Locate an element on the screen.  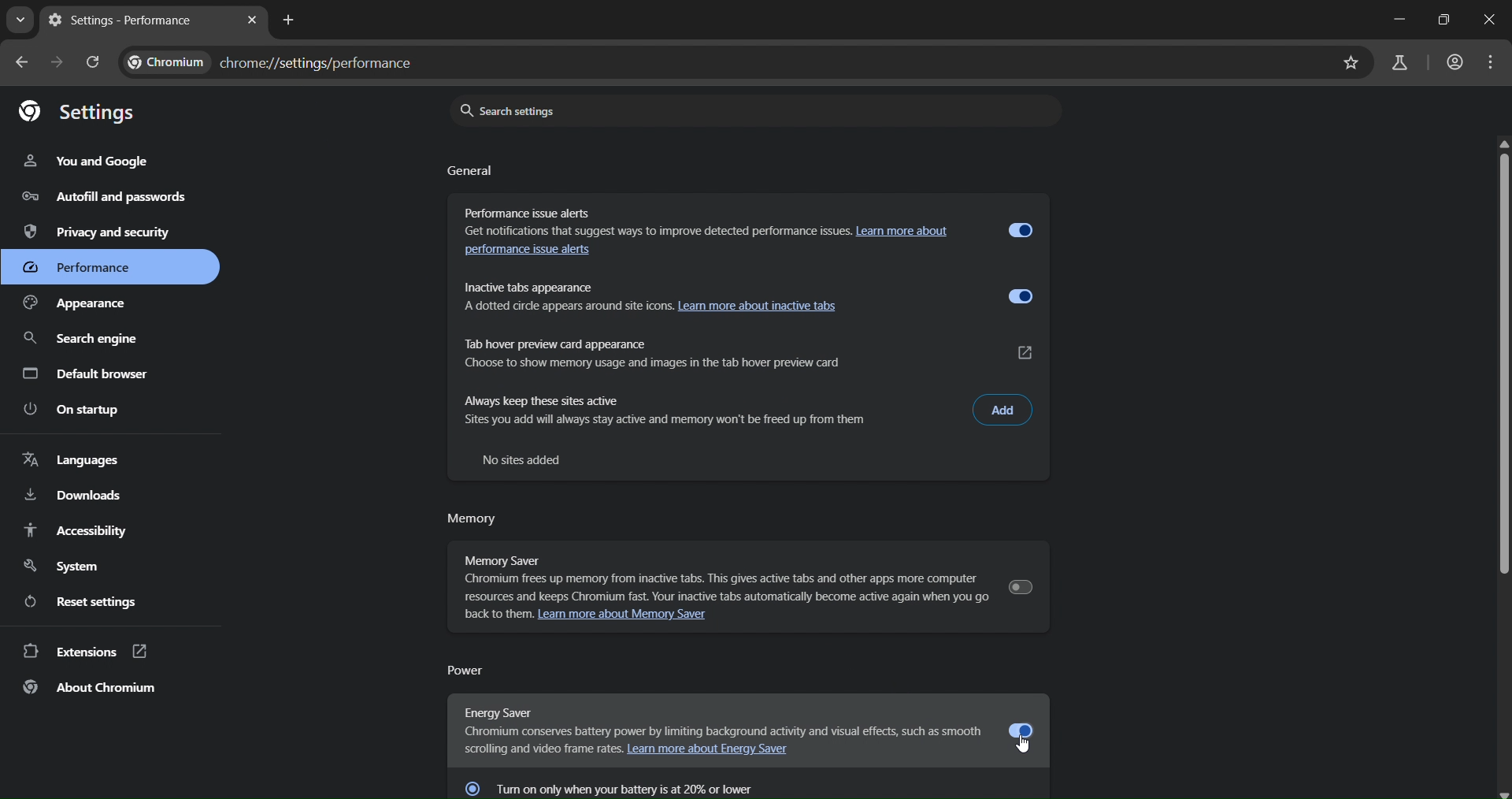
reload page is located at coordinates (94, 63).